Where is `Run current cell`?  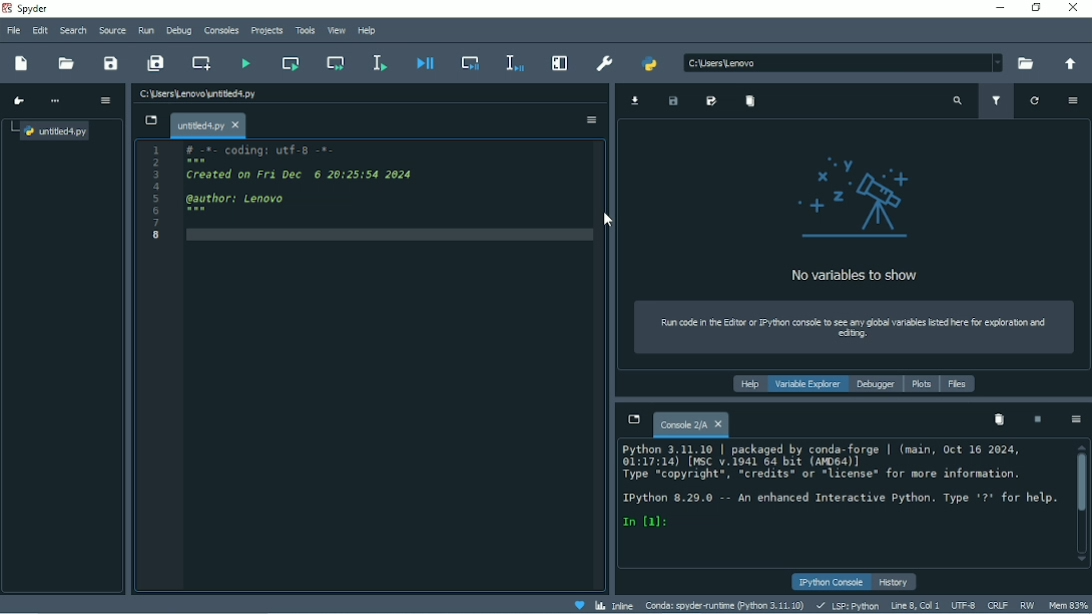
Run current cell is located at coordinates (290, 64).